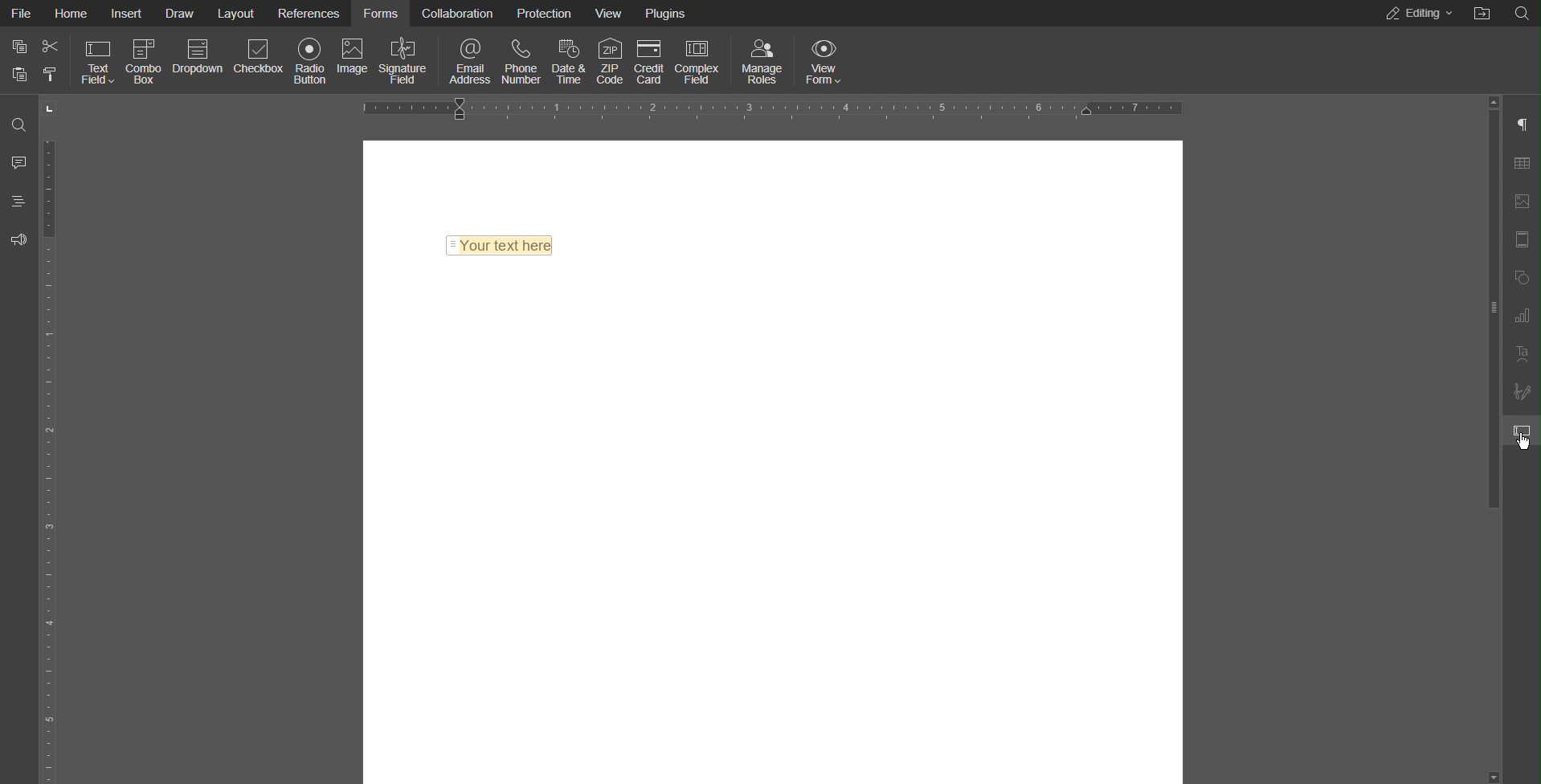 This screenshot has height=784, width=1541. I want to click on Comments, so click(19, 160).